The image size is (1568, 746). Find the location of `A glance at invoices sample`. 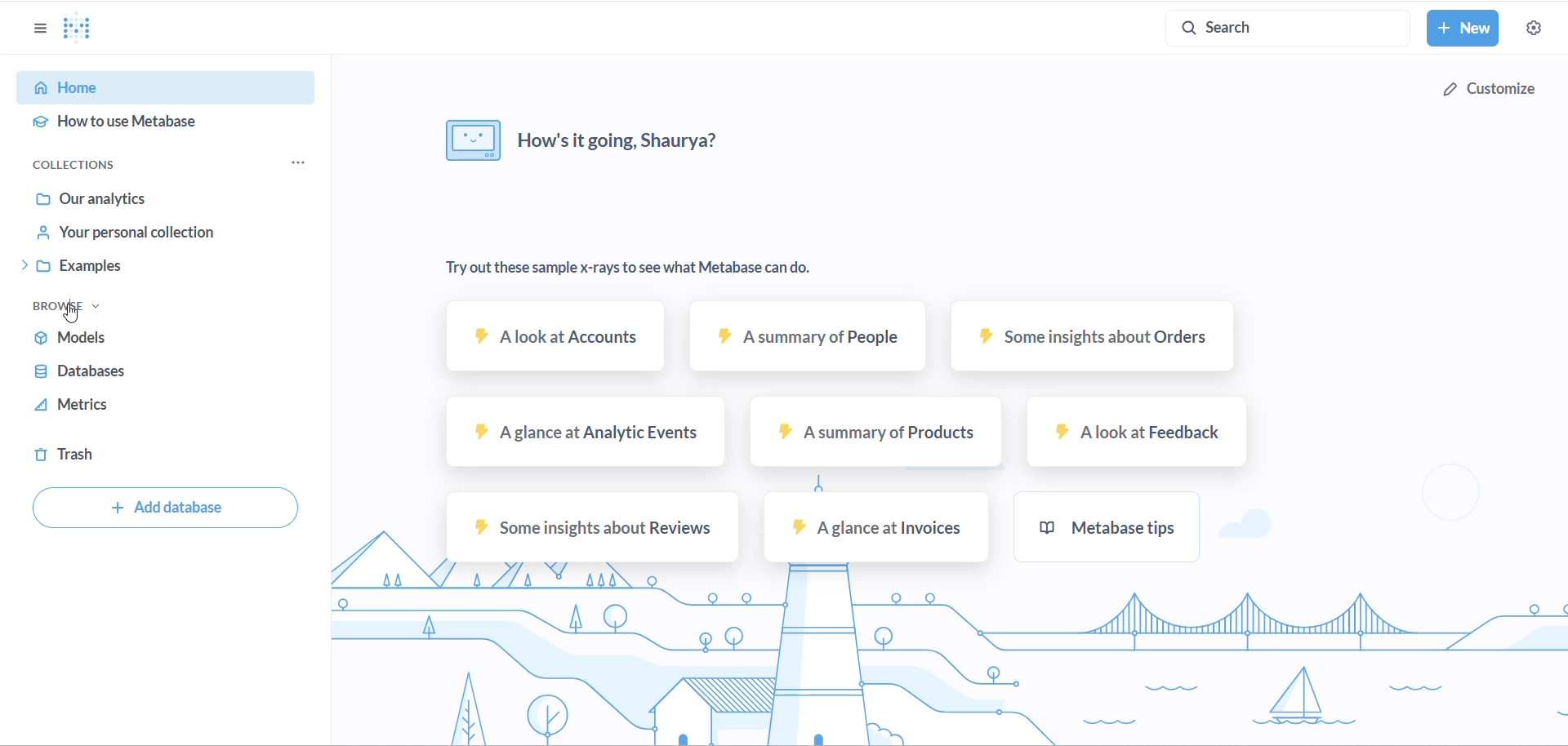

A glance at invoices sample is located at coordinates (874, 529).